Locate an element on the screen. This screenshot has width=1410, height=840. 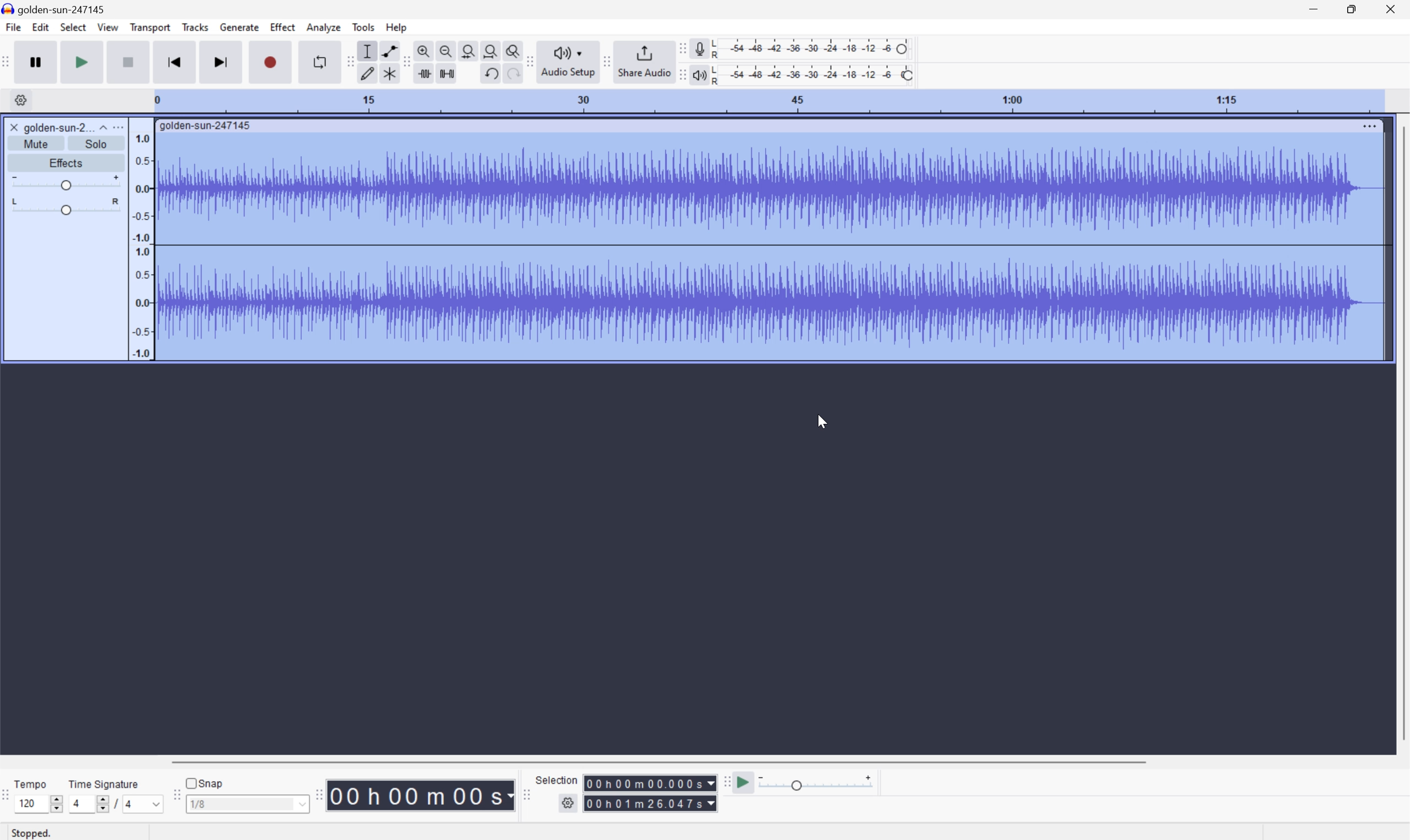
Audacity Snapping toolbar is located at coordinates (176, 796).